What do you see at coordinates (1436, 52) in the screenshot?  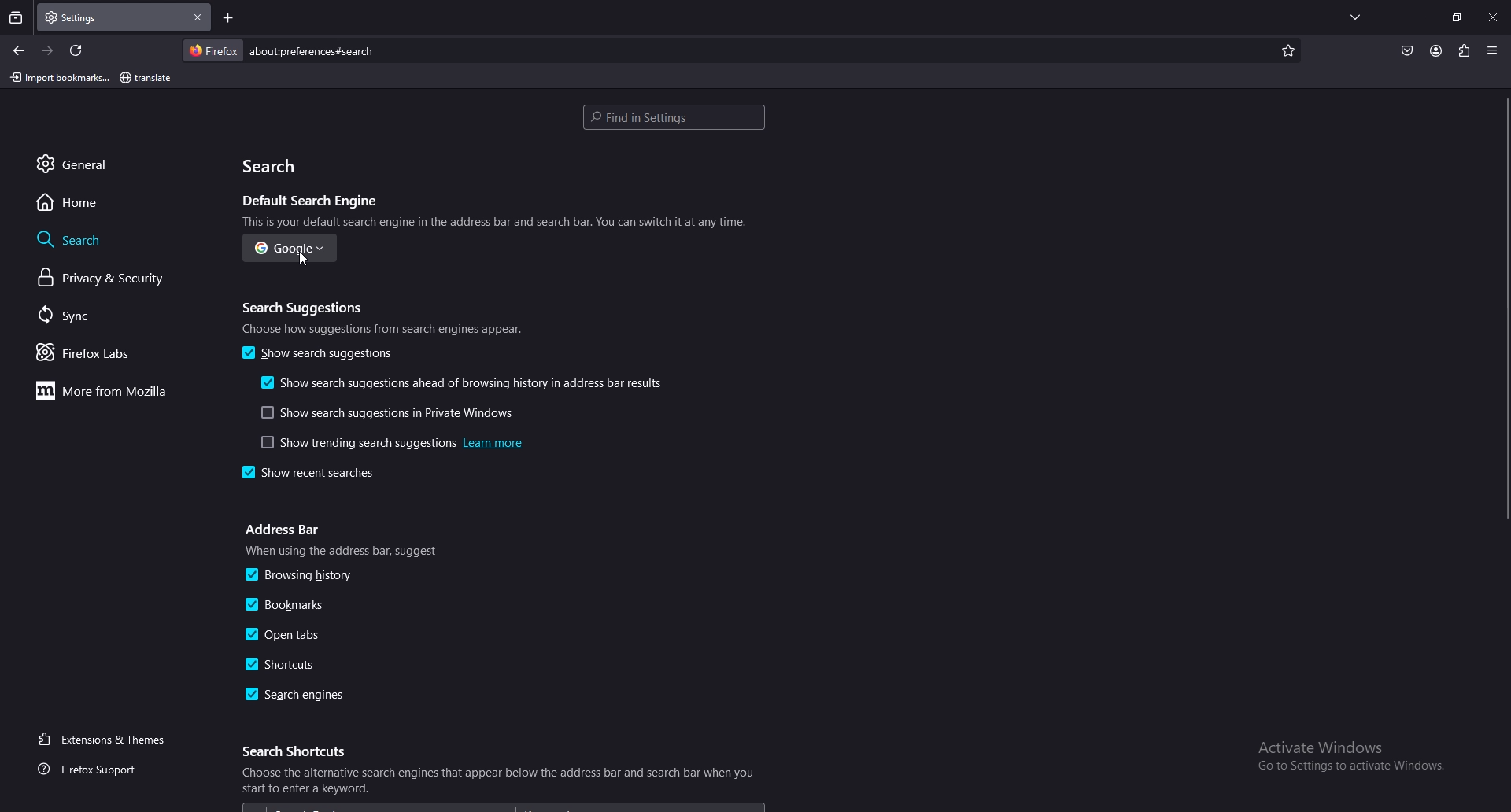 I see `profile` at bounding box center [1436, 52].